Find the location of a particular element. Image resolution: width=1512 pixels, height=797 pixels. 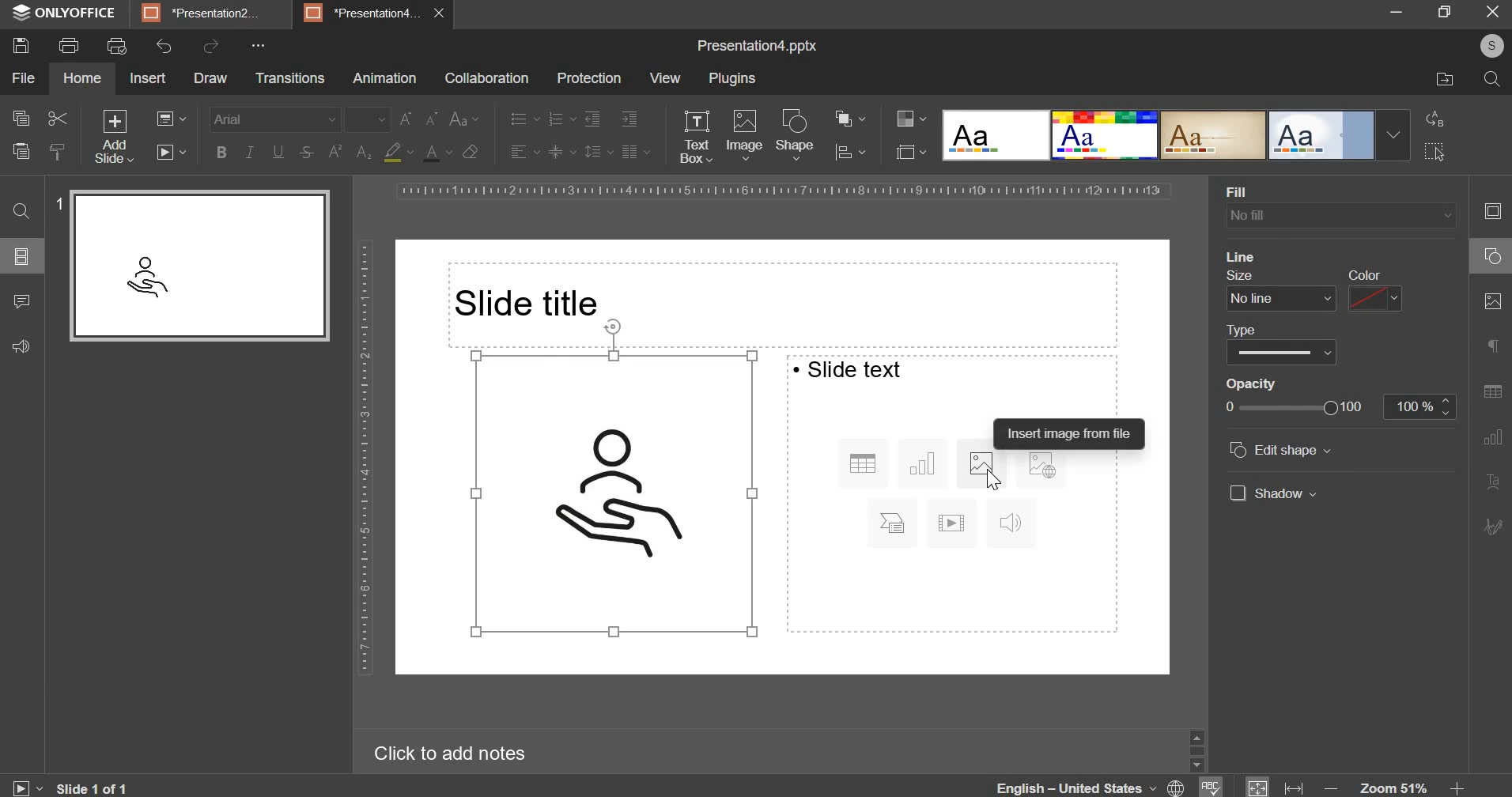

replace is located at coordinates (1435, 119).